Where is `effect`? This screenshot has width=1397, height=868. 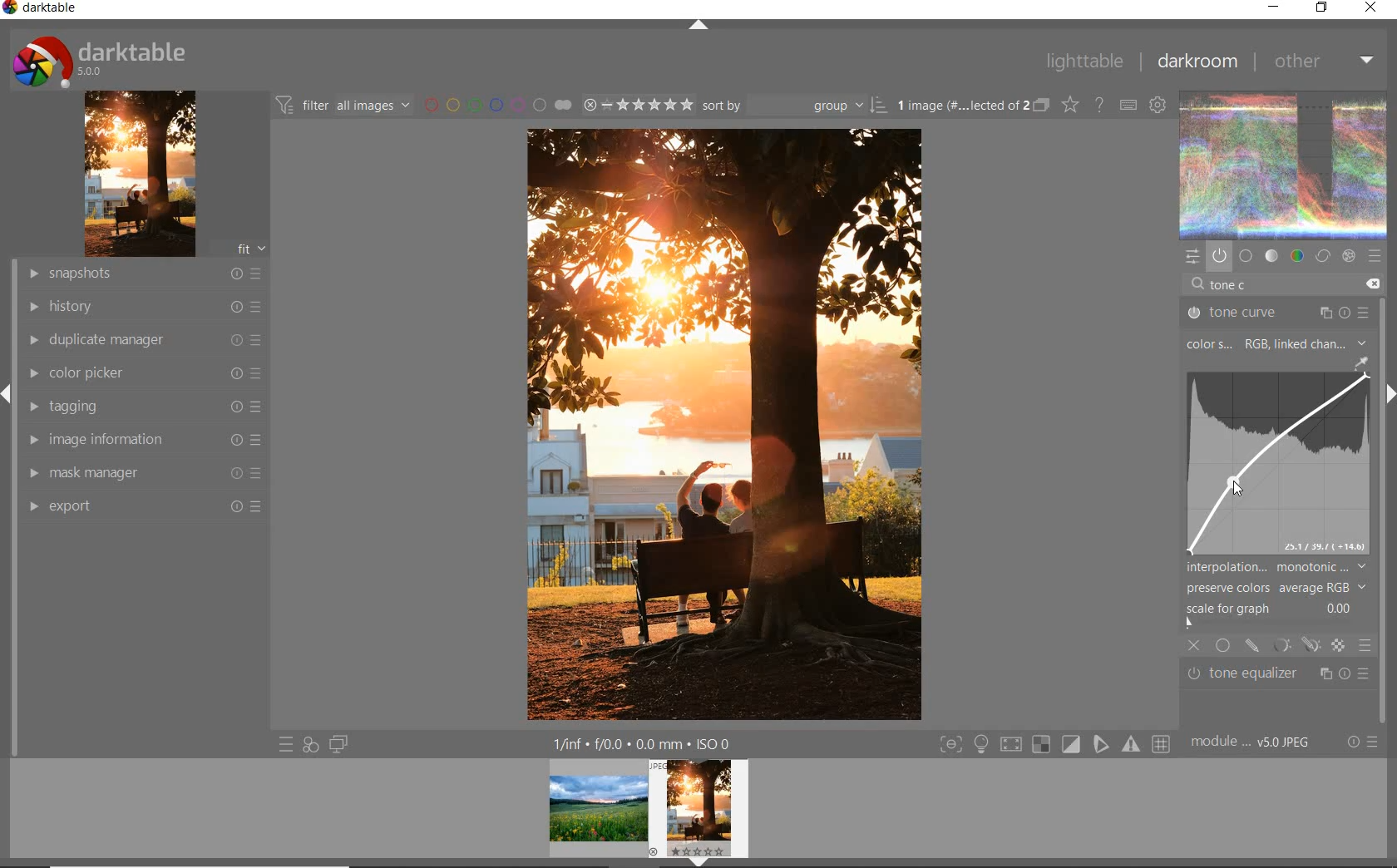
effect is located at coordinates (1348, 256).